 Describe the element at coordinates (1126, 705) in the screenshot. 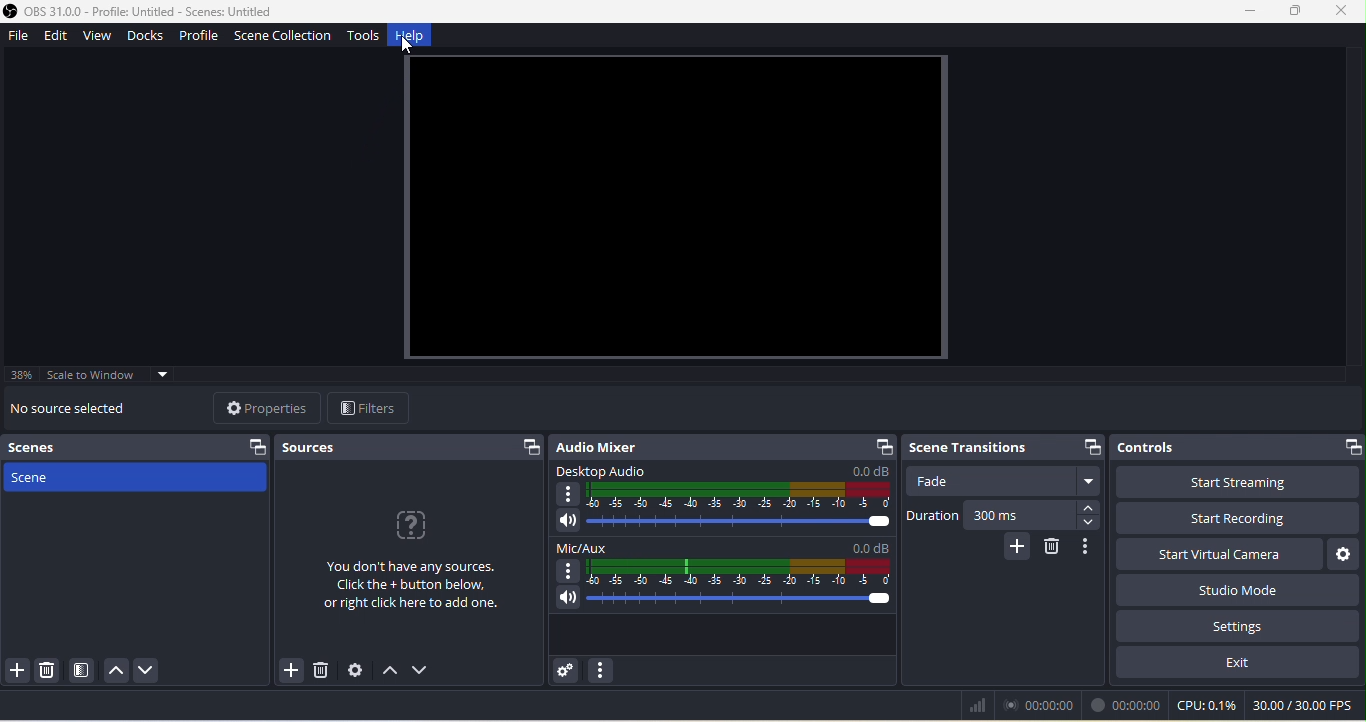

I see `00.00.00` at that location.